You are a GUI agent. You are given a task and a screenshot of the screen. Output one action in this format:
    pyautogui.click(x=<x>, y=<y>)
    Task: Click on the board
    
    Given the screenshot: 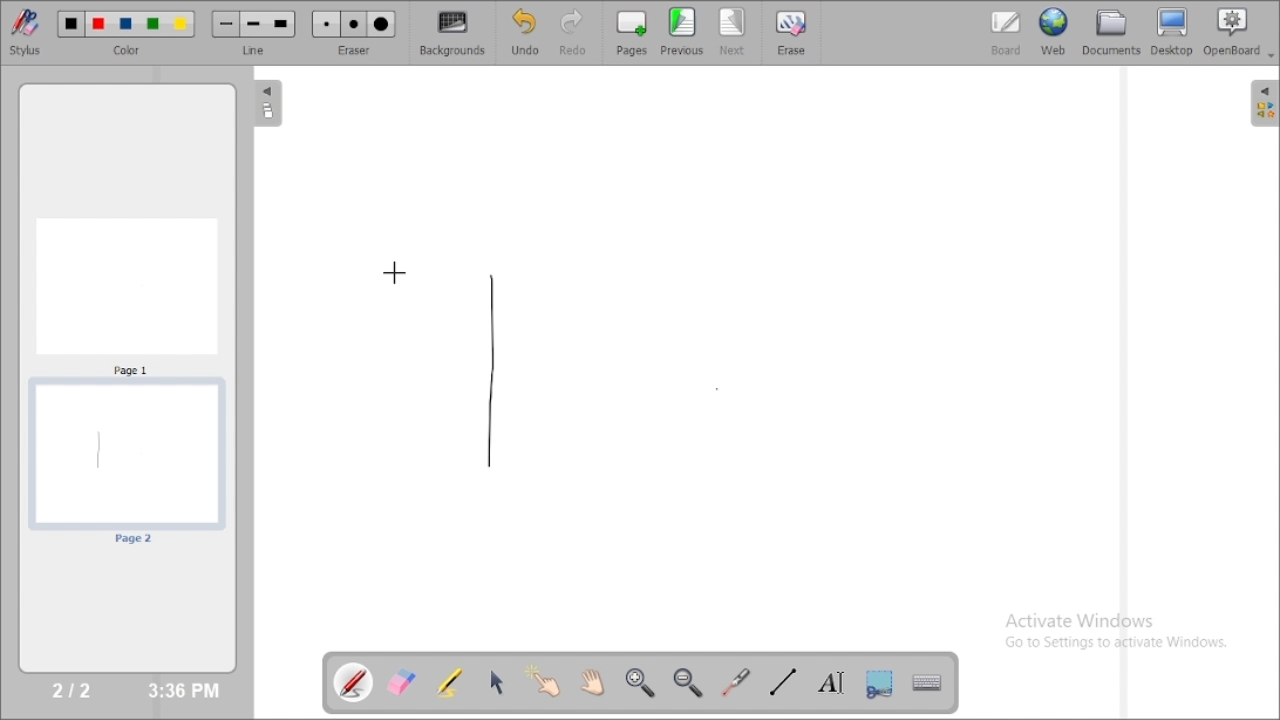 What is the action you would take?
    pyautogui.click(x=1006, y=33)
    